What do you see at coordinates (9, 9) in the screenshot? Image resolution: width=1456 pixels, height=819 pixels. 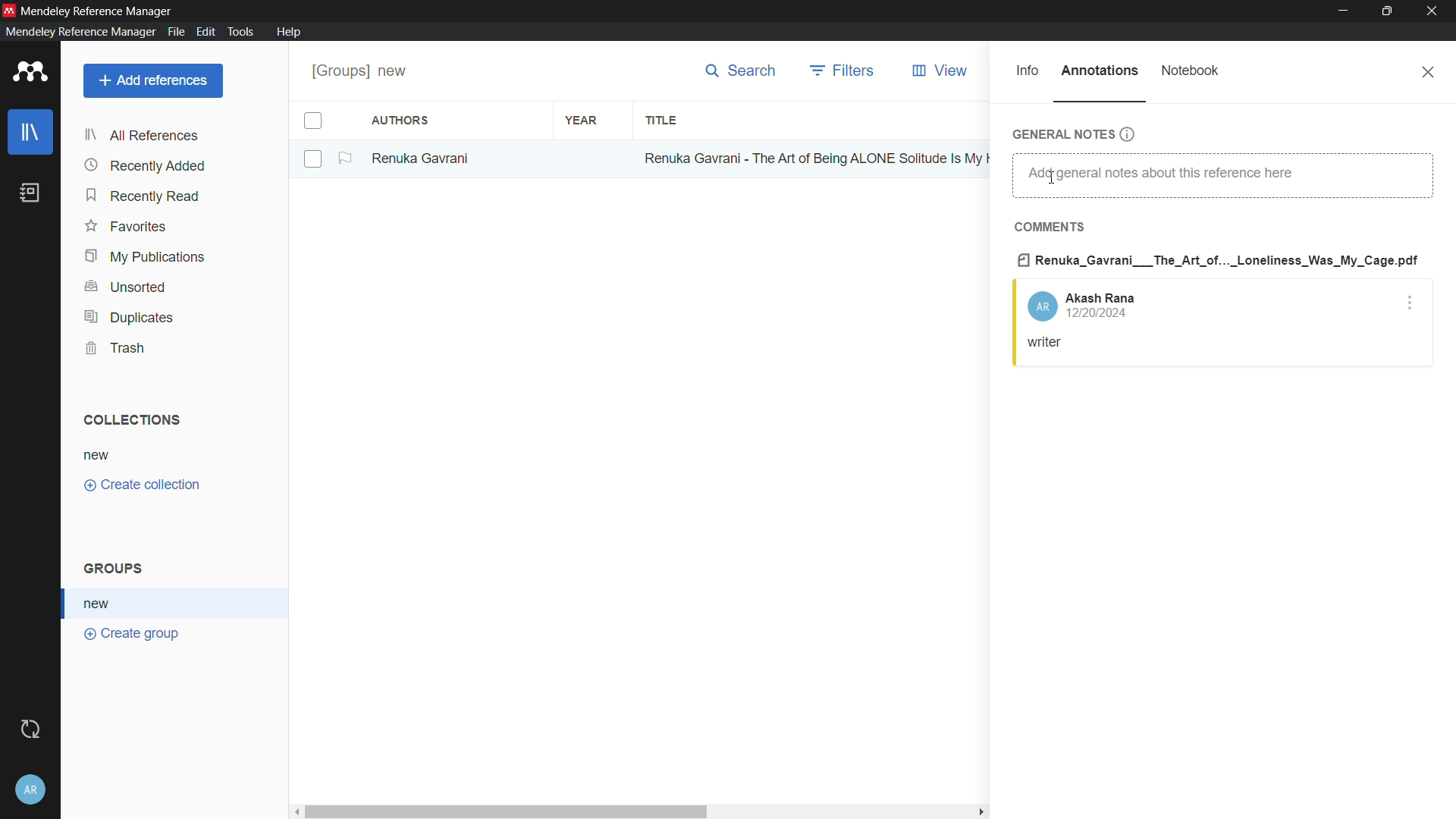 I see `app icon` at bounding box center [9, 9].